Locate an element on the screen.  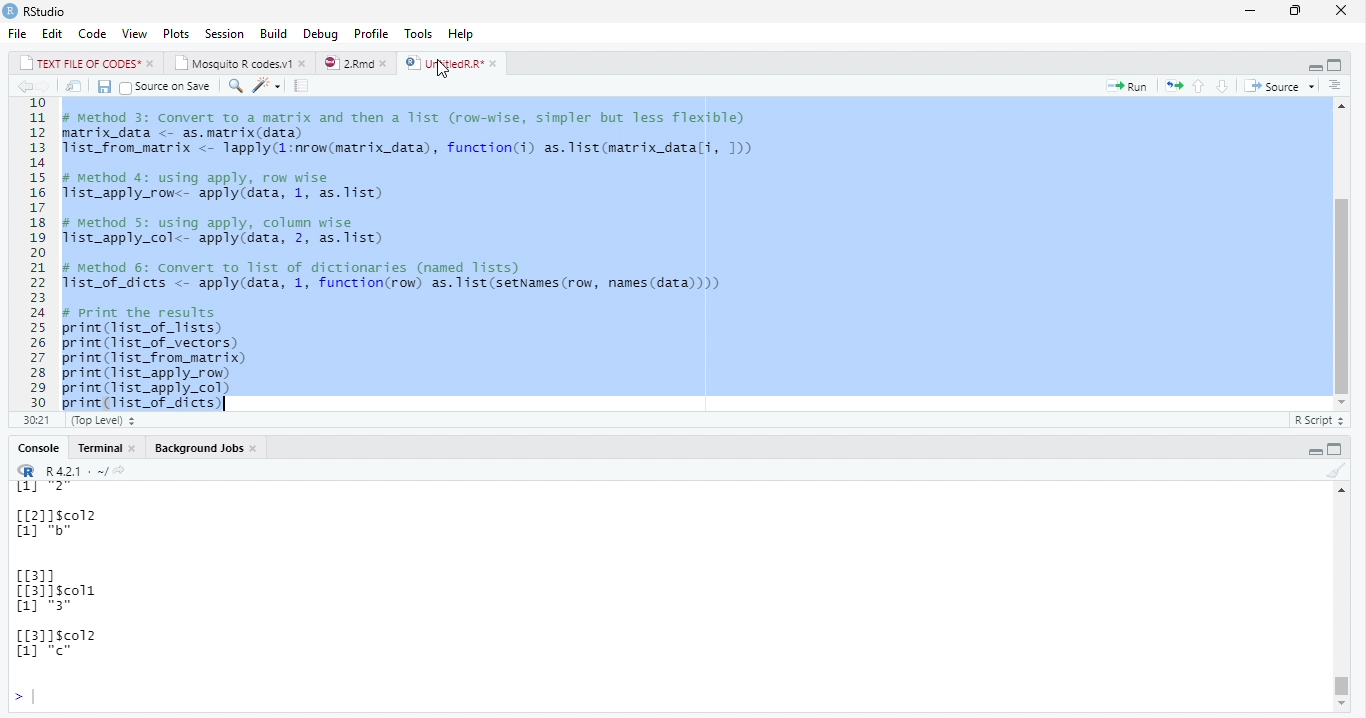
prompt cursor is located at coordinates (12, 698).